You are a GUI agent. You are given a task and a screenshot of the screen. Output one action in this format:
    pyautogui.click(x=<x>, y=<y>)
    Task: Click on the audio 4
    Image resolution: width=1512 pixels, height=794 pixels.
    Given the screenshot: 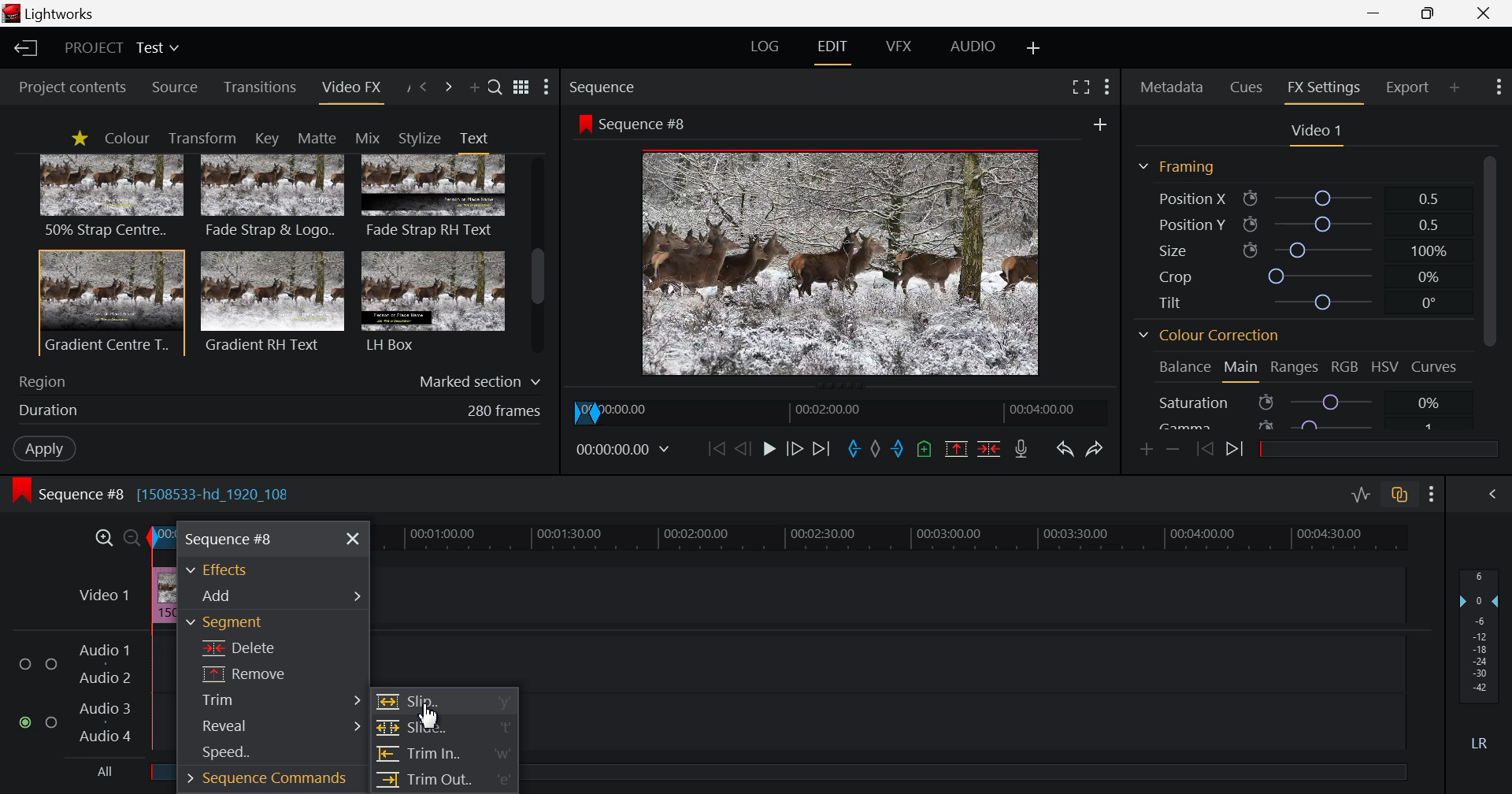 What is the action you would take?
    pyautogui.click(x=105, y=738)
    